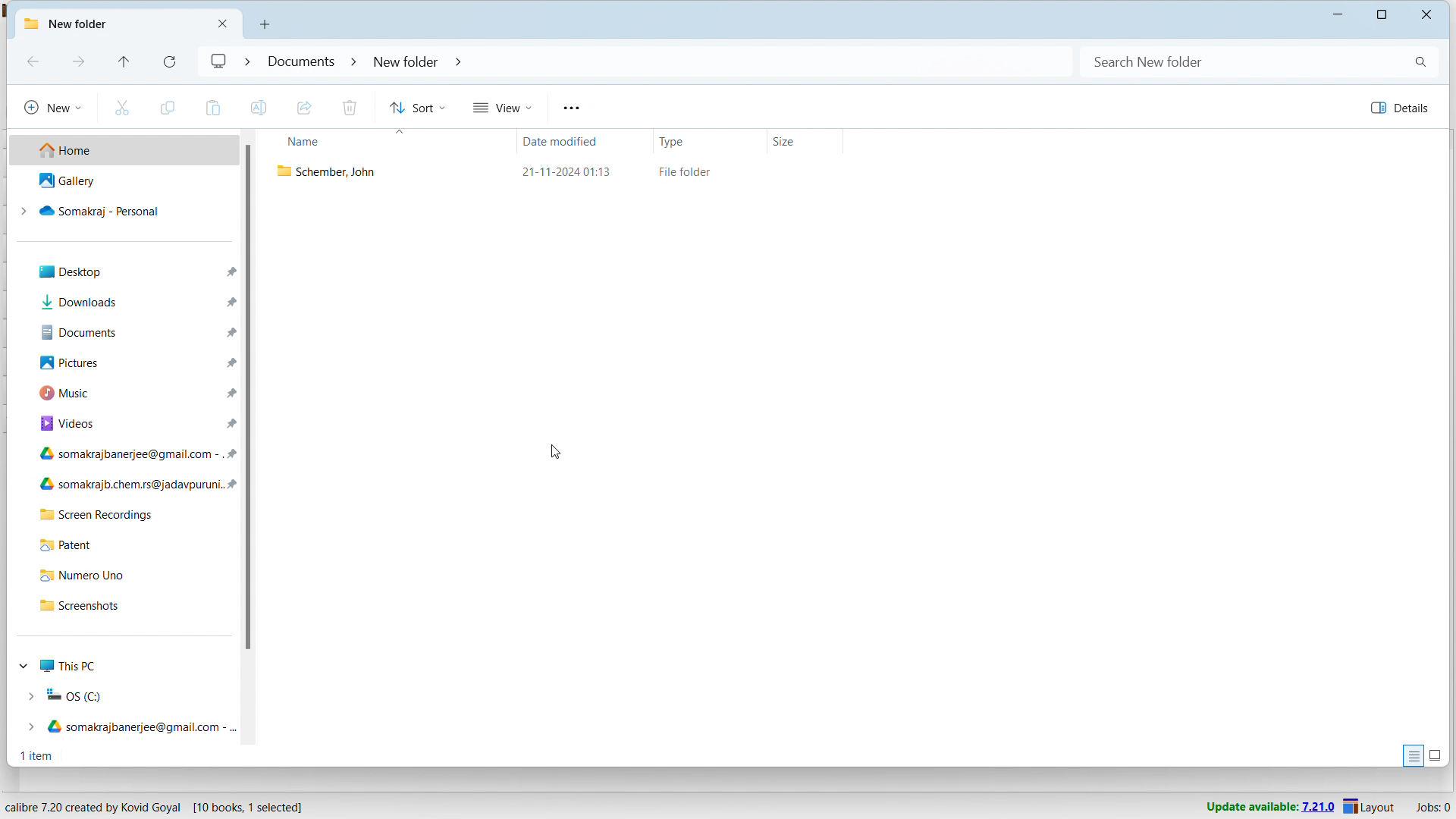 Image resolution: width=1456 pixels, height=819 pixels. I want to click on display large thumbnails, so click(1436, 755).